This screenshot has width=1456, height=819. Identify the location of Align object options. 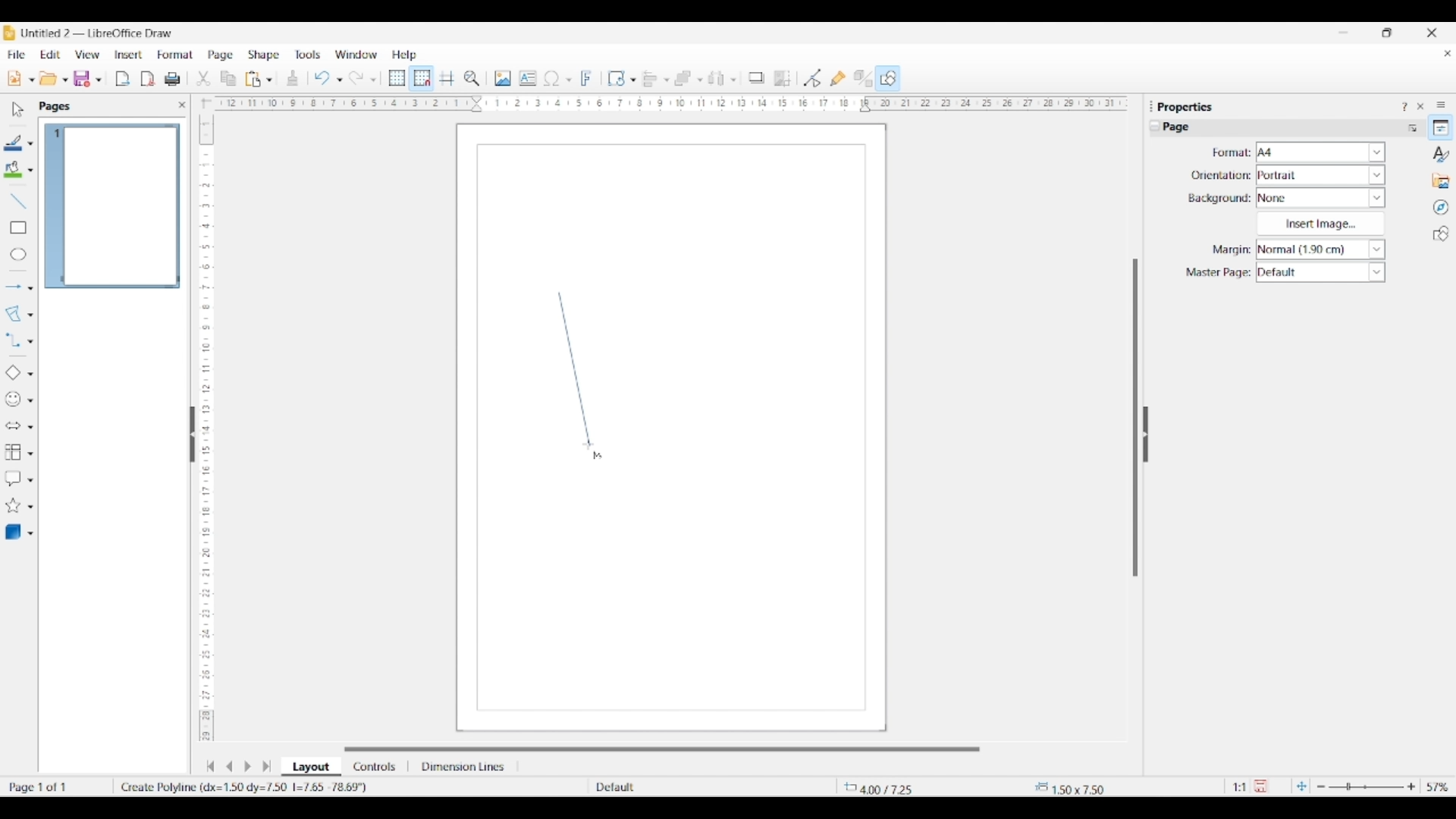
(667, 80).